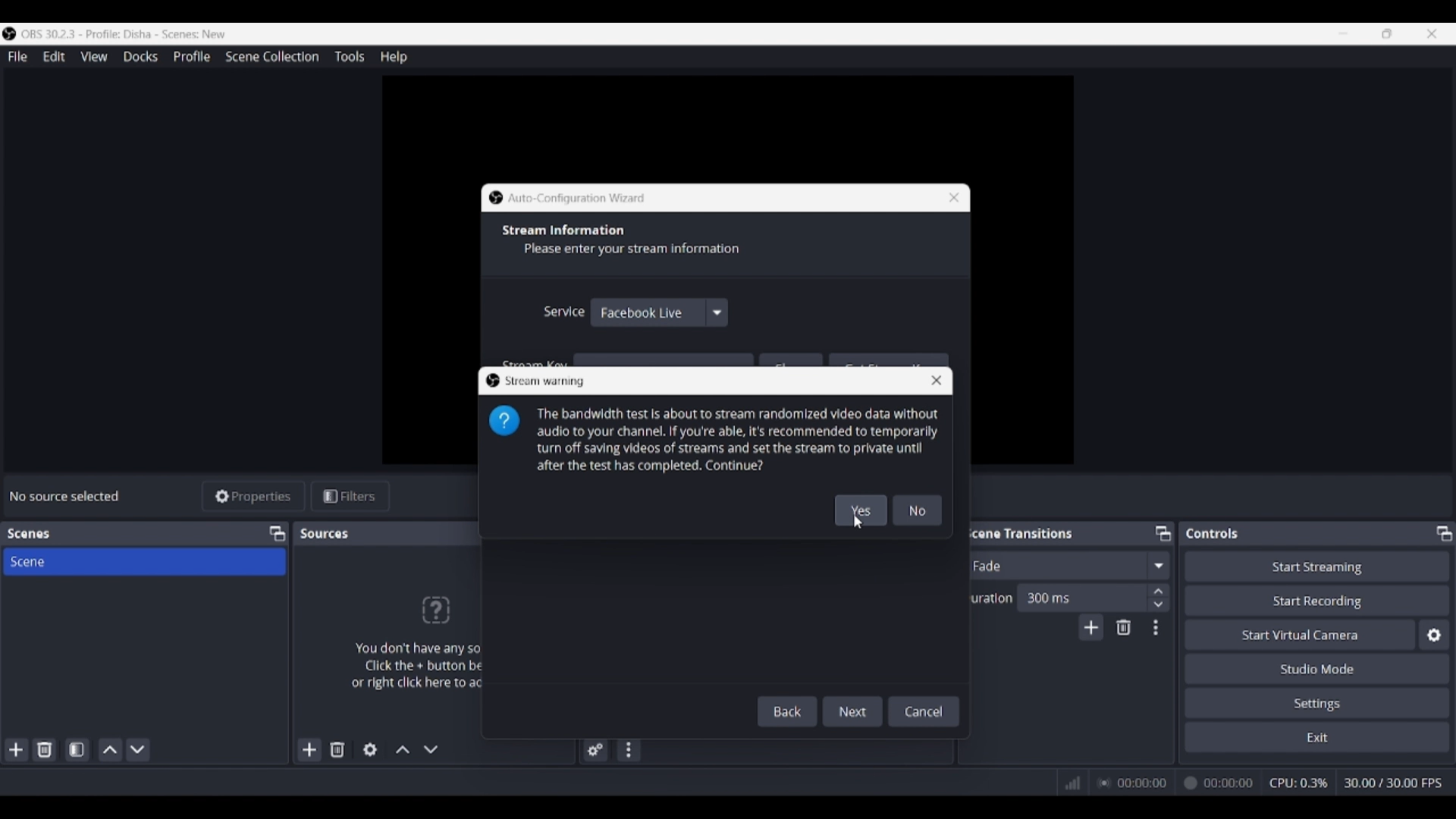  What do you see at coordinates (140, 57) in the screenshot?
I see `Docks menu` at bounding box center [140, 57].